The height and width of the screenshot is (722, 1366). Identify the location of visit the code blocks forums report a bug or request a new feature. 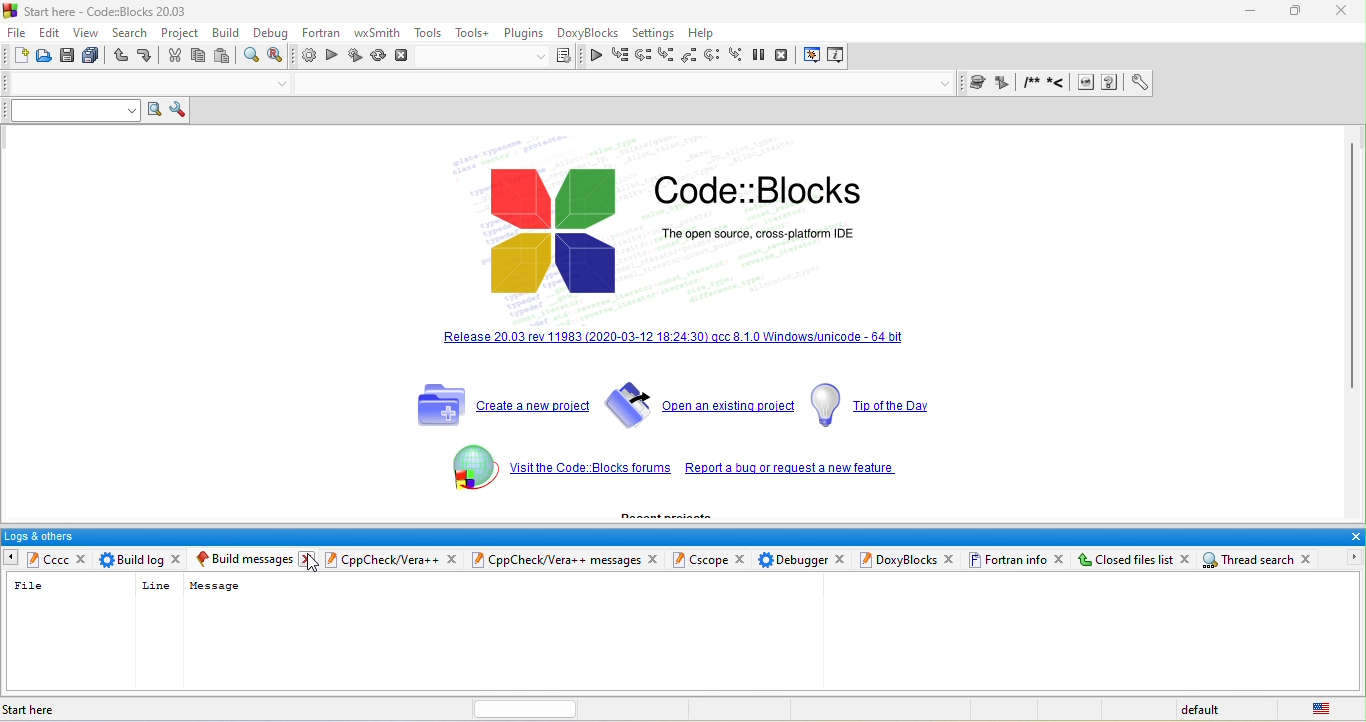
(799, 470).